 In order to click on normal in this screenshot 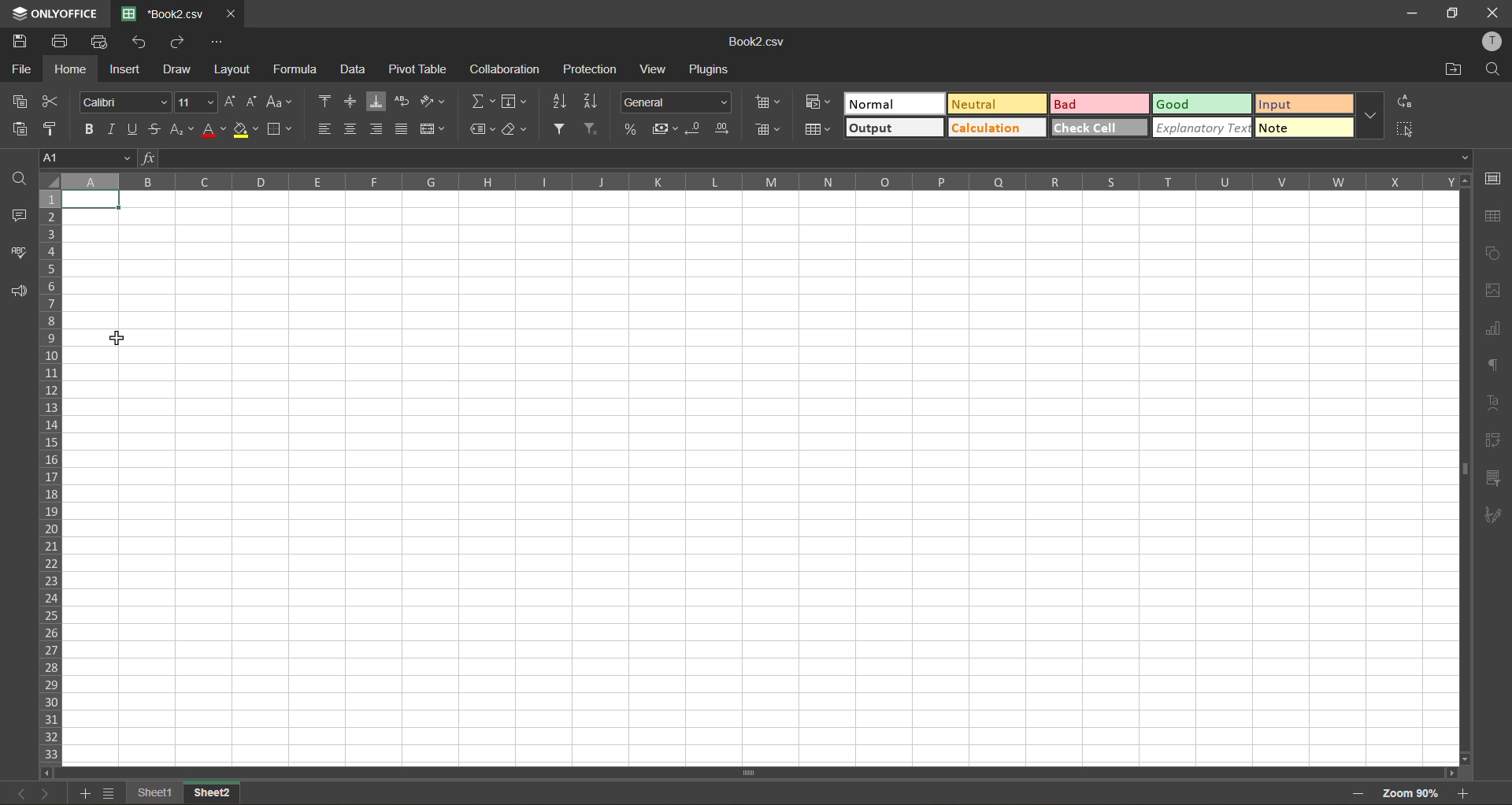, I will do `click(893, 105)`.